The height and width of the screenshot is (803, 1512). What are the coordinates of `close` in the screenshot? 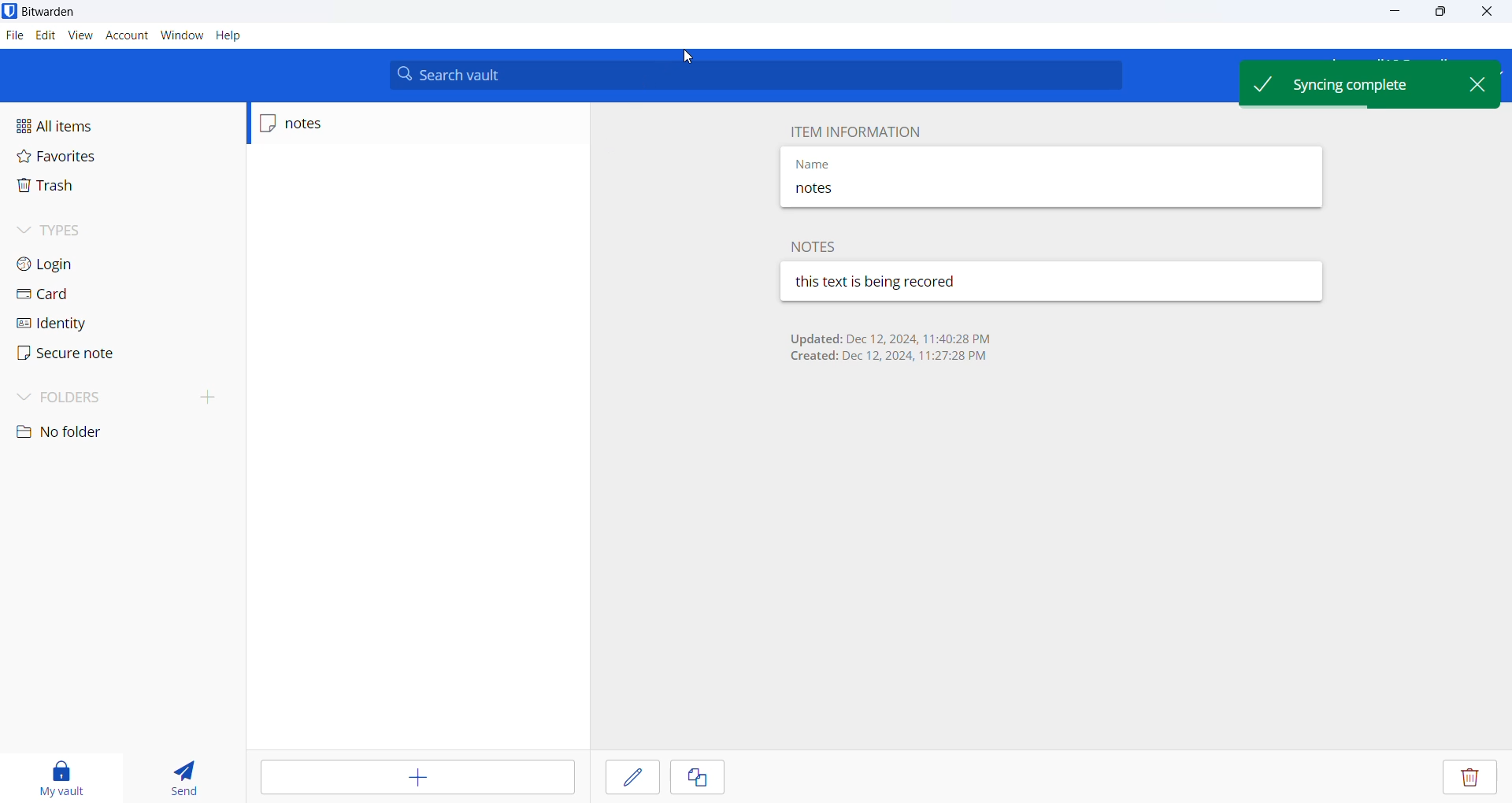 It's located at (1482, 12).